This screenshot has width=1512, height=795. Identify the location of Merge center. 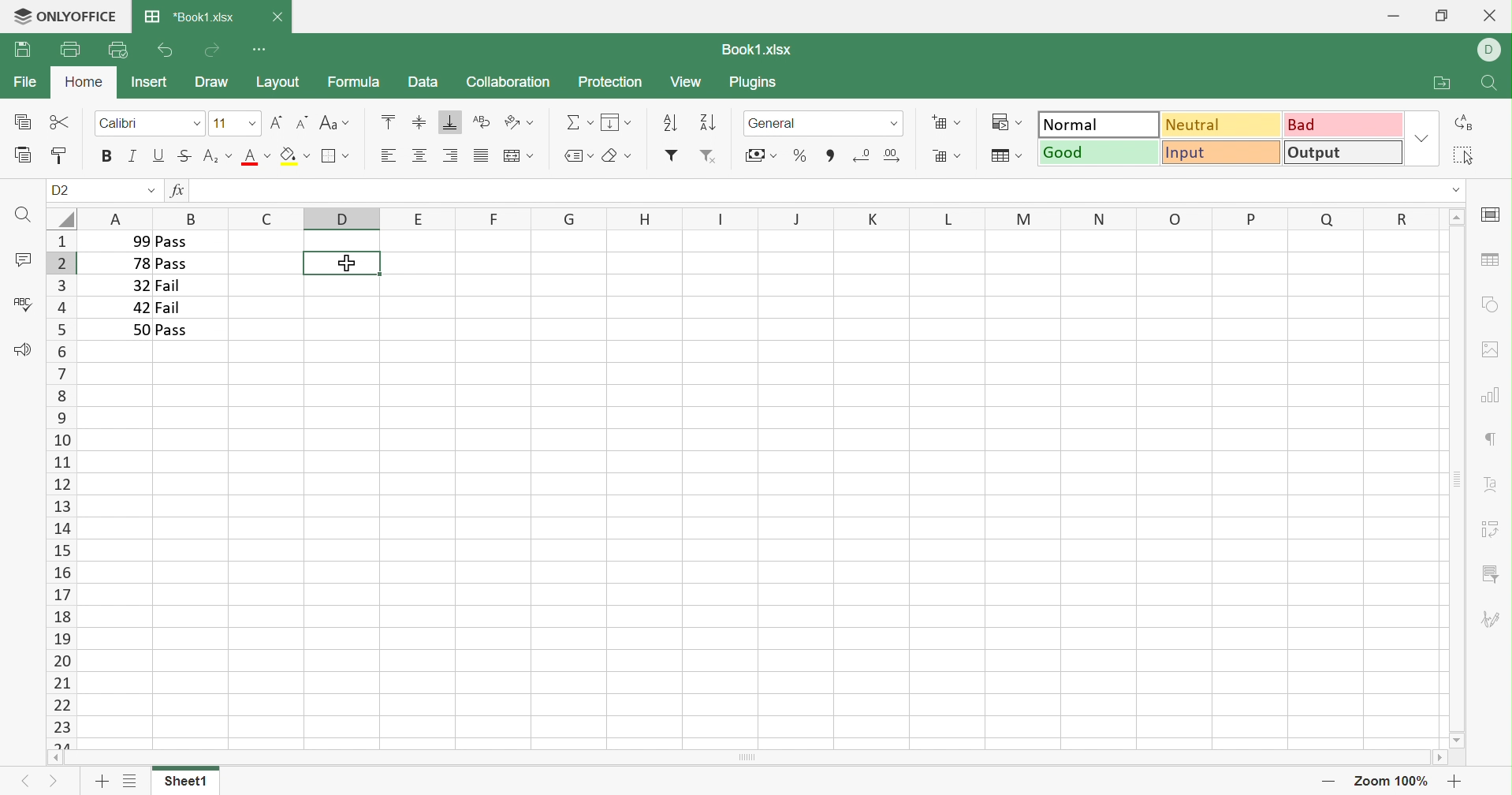
(517, 157).